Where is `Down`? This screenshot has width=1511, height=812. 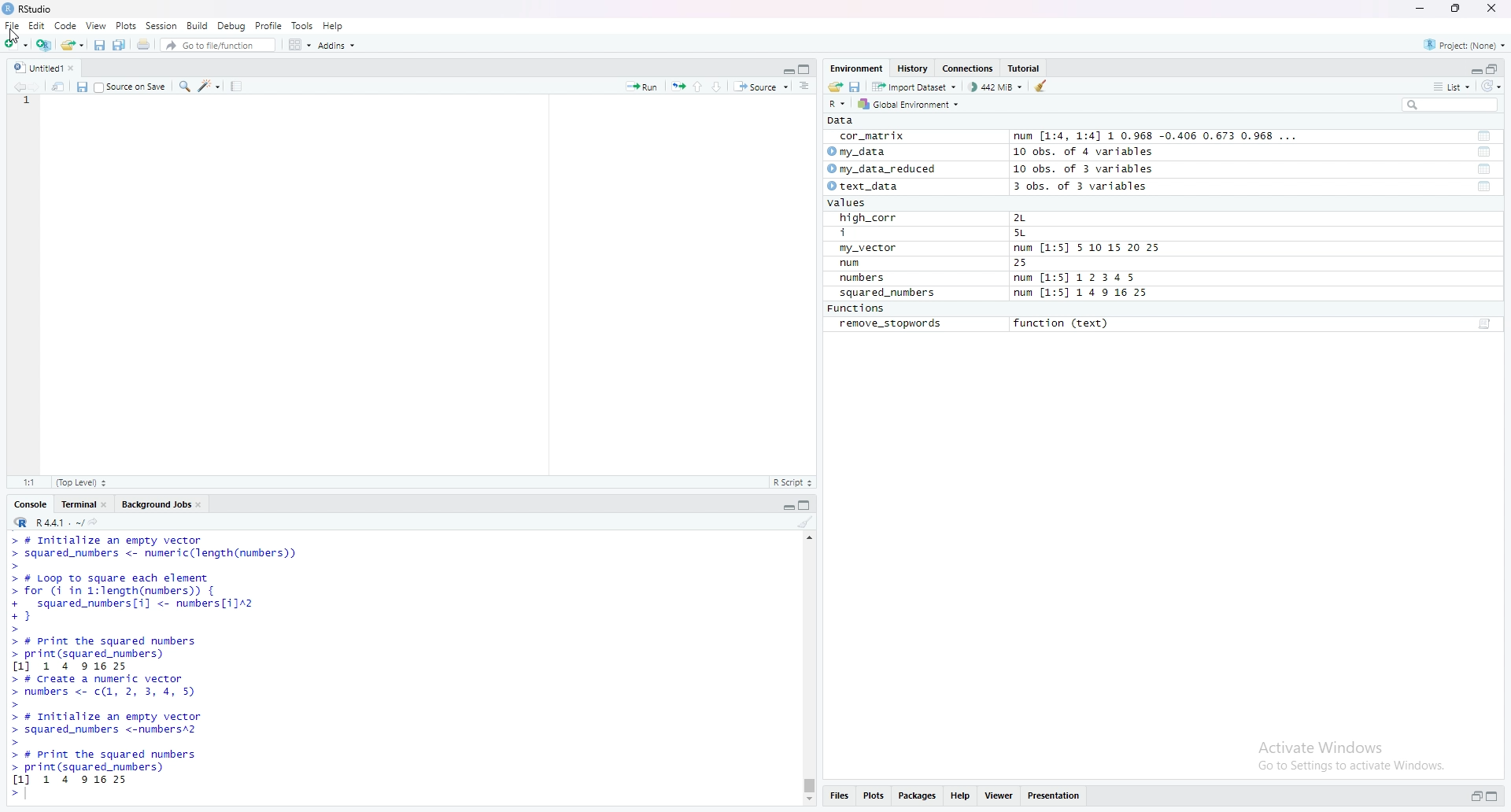
Down is located at coordinates (722, 85).